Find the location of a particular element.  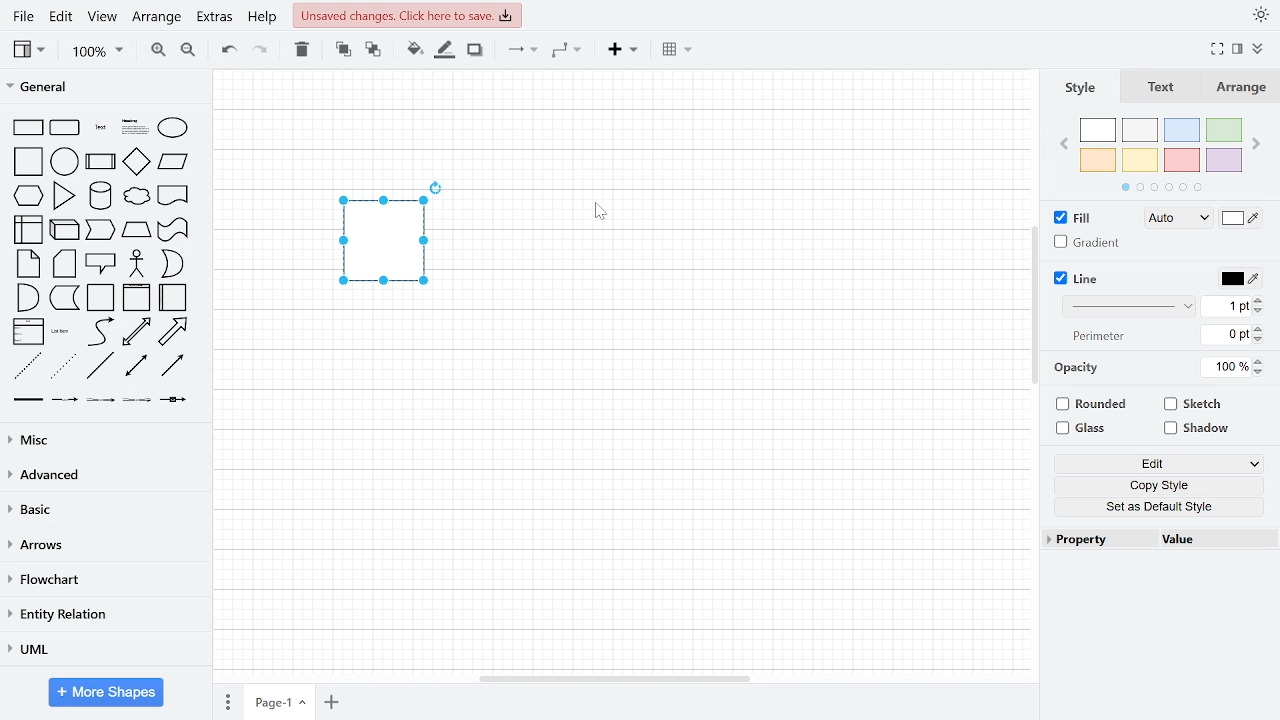

connector is located at coordinates (523, 50).